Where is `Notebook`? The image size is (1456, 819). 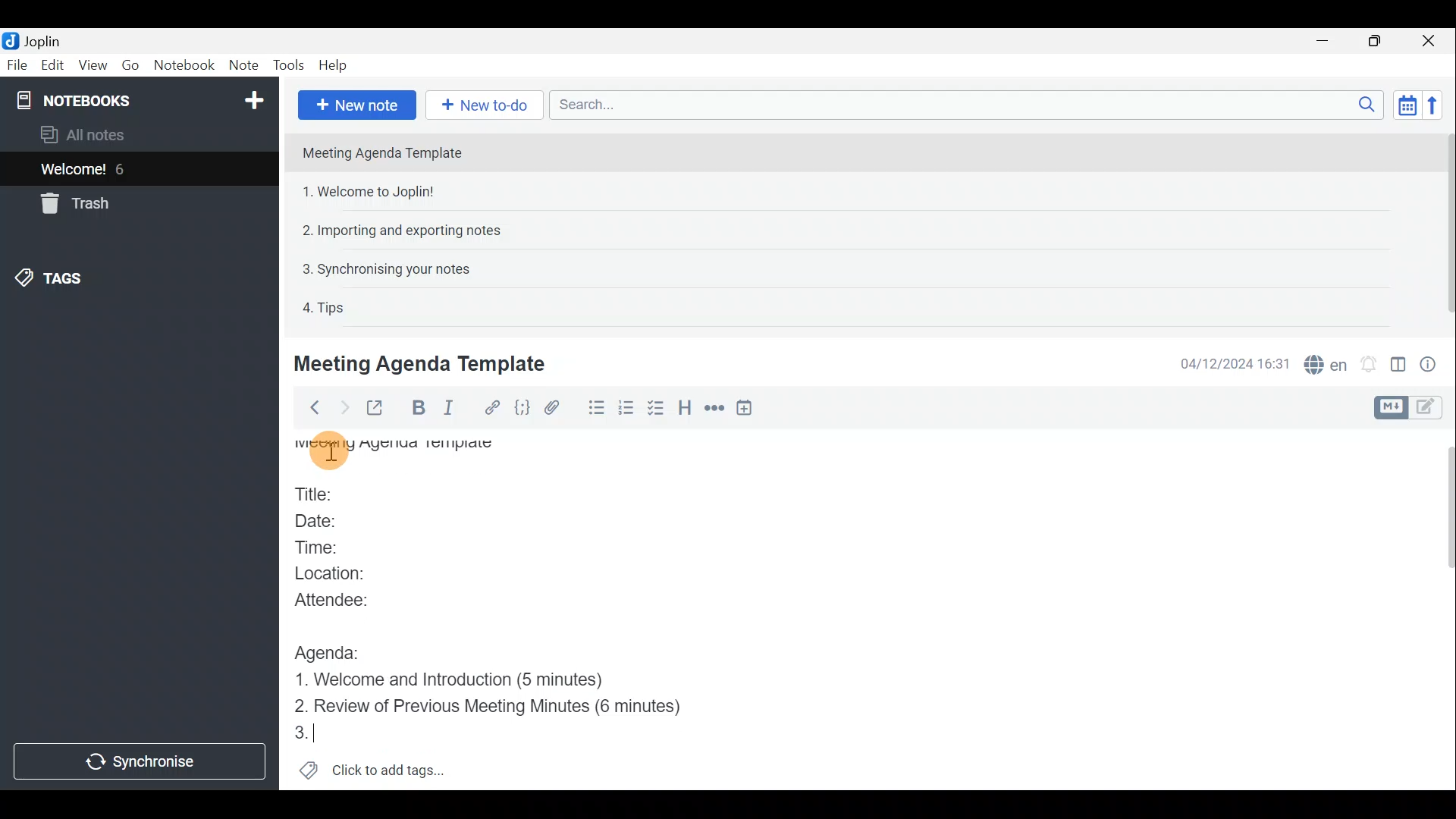
Notebook is located at coordinates (185, 64).